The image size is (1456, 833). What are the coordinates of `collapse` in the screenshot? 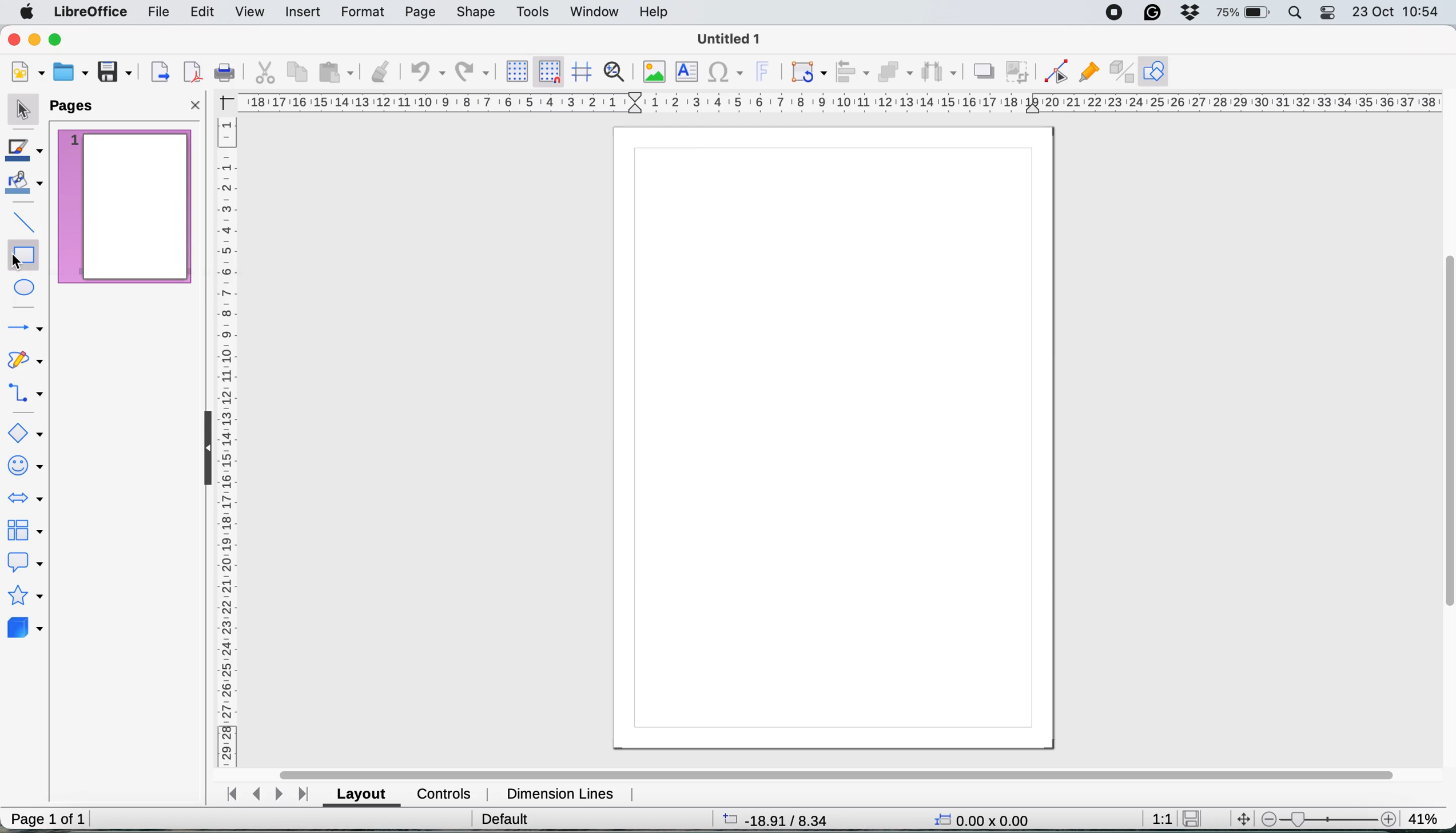 It's located at (202, 447).